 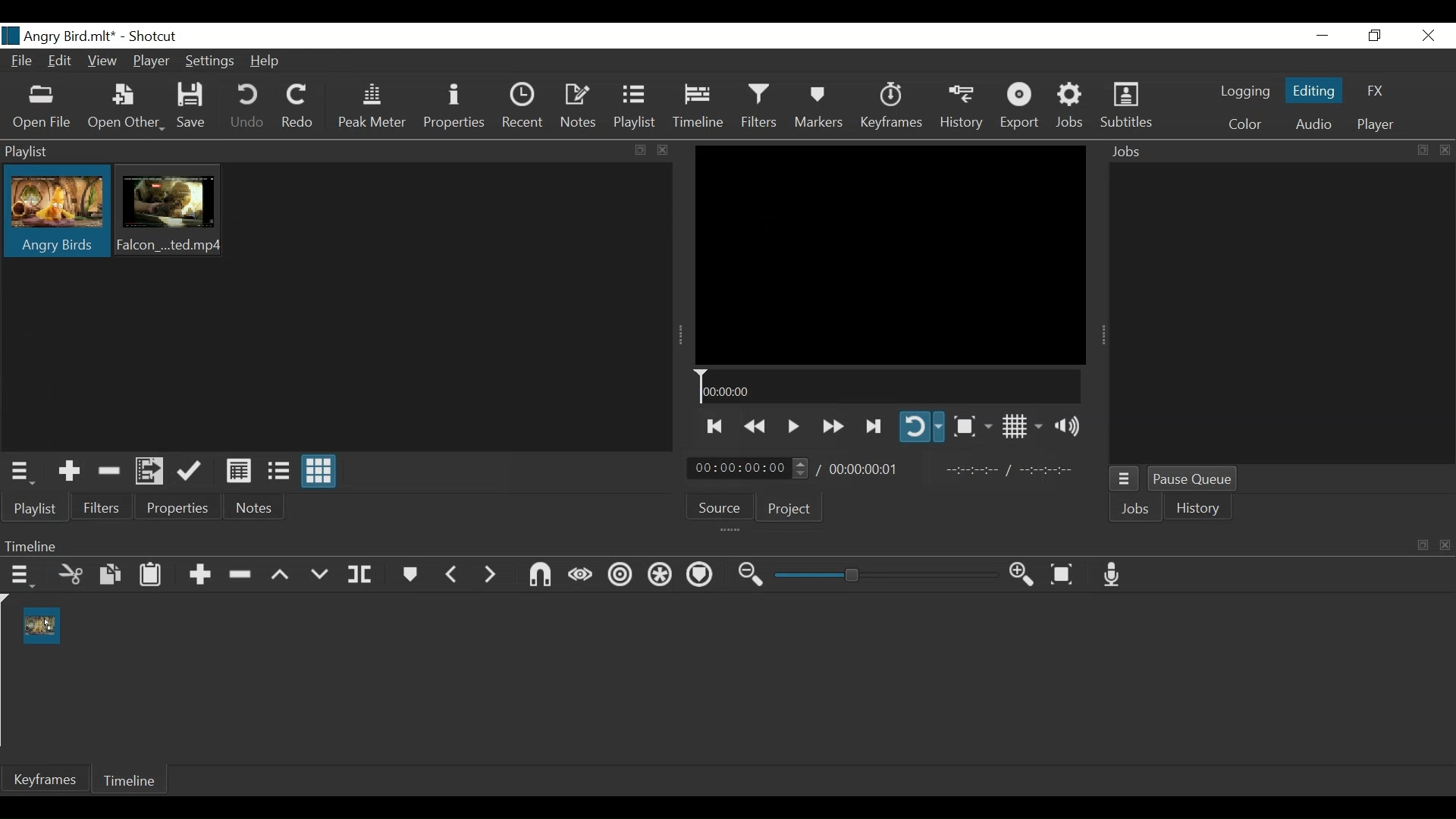 What do you see at coordinates (196, 108) in the screenshot?
I see `Save` at bounding box center [196, 108].